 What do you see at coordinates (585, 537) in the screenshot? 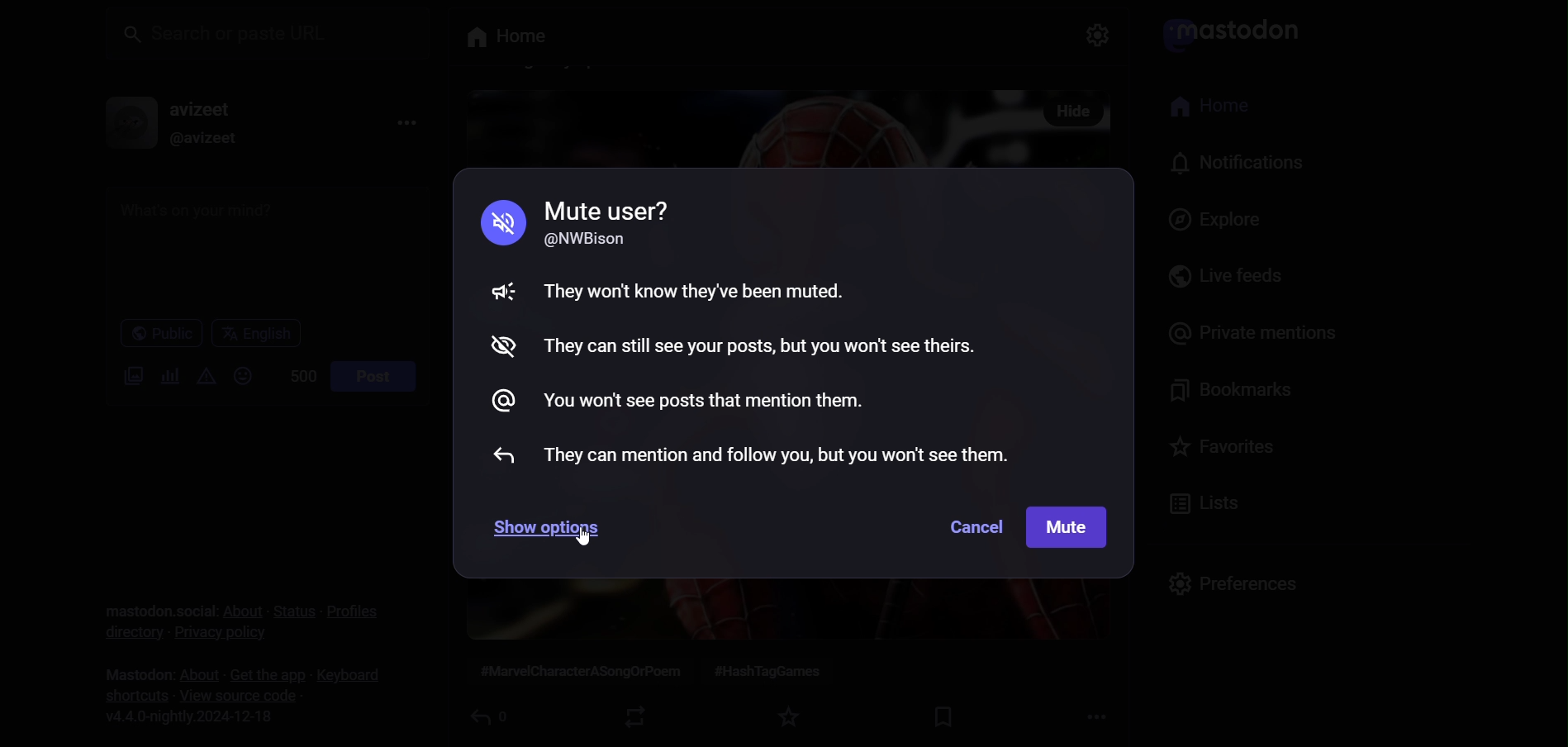
I see `cursor` at bounding box center [585, 537].